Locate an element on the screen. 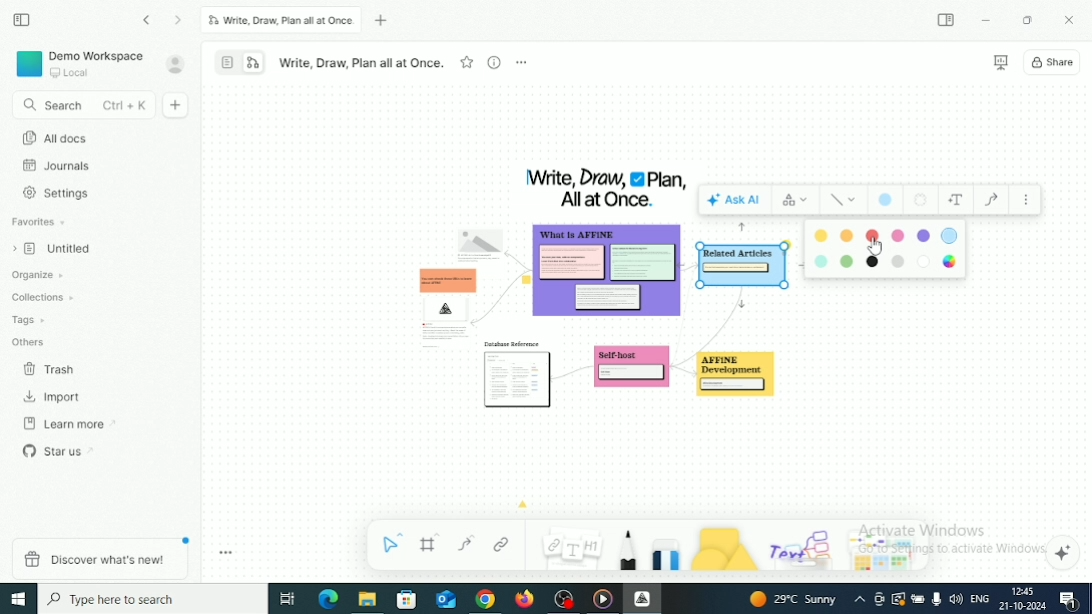  Sticky notes is located at coordinates (442, 302).